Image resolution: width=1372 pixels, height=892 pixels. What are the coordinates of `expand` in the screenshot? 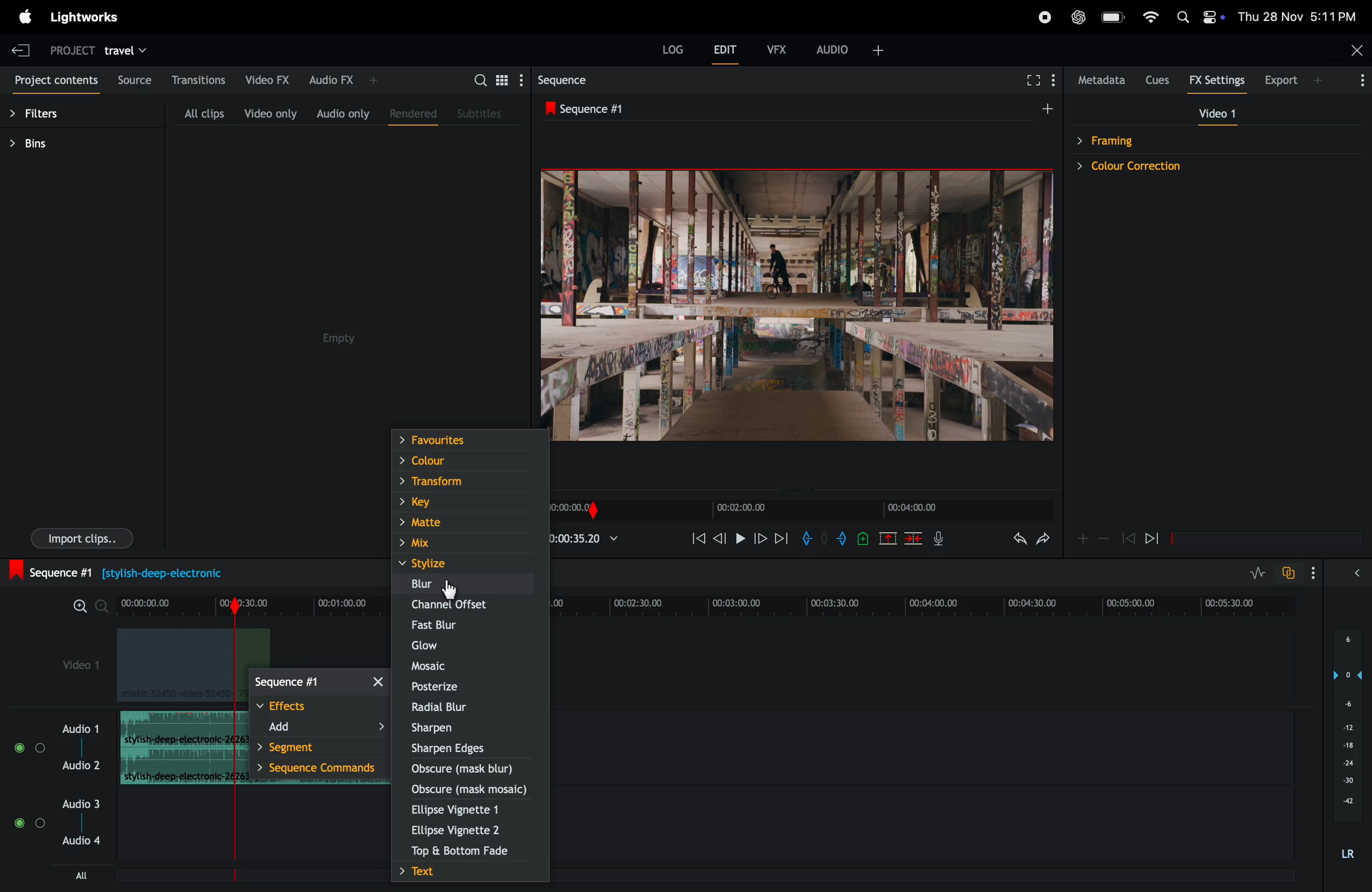 It's located at (1354, 575).